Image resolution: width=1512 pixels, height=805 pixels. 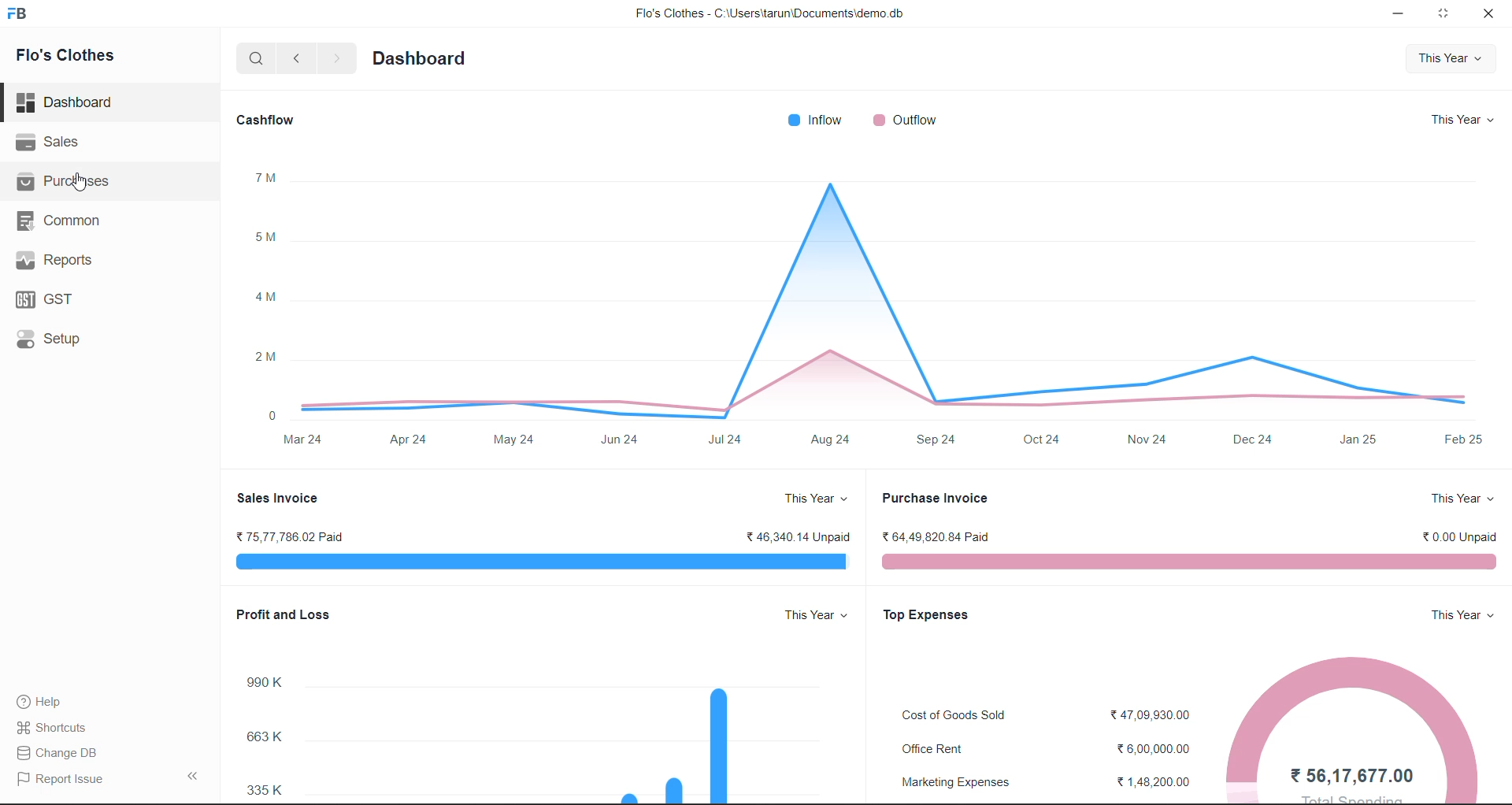 I want to click on  Sales, so click(x=59, y=144).